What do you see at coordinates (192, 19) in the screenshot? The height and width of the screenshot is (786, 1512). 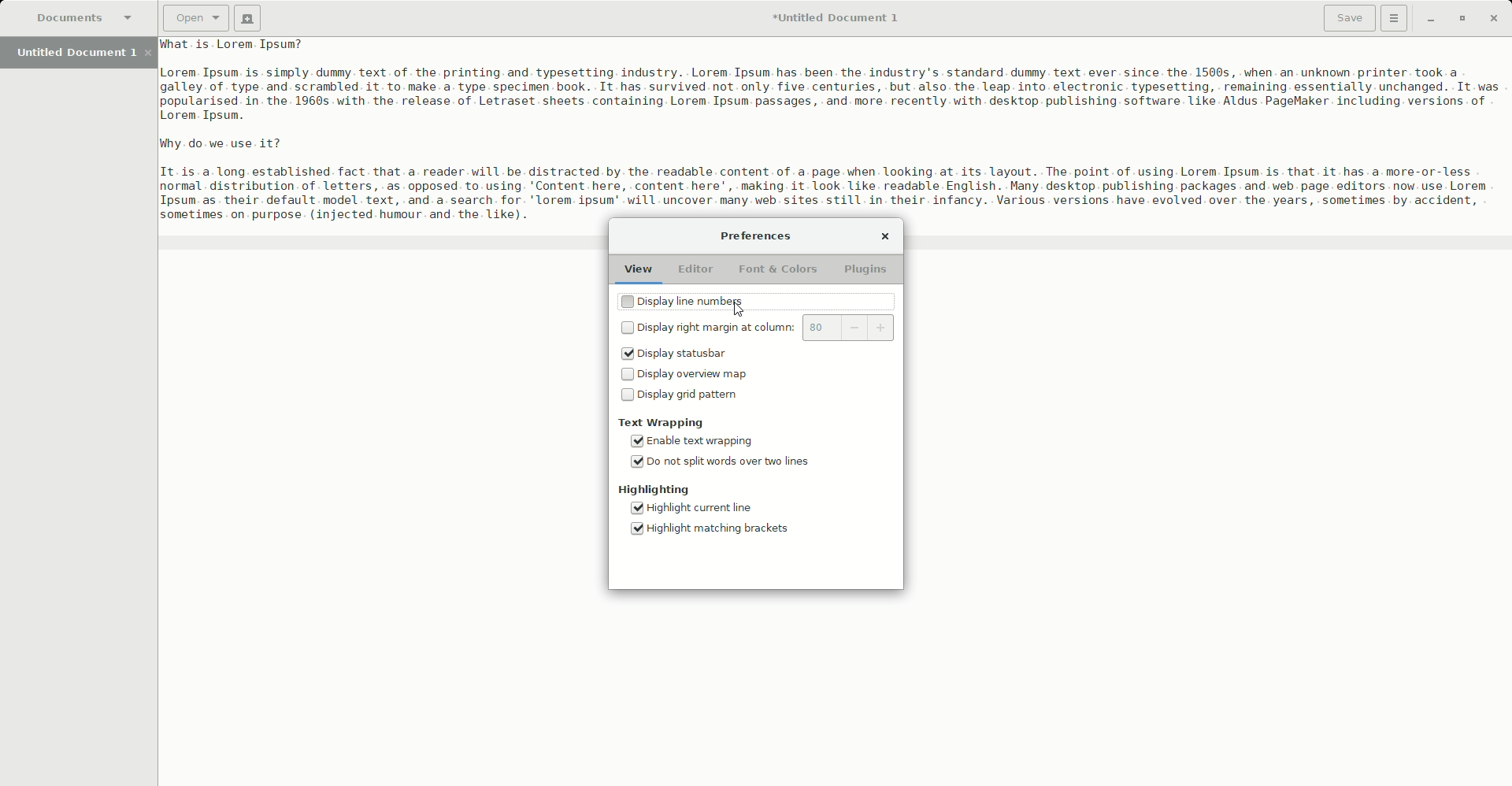 I see `Open` at bounding box center [192, 19].